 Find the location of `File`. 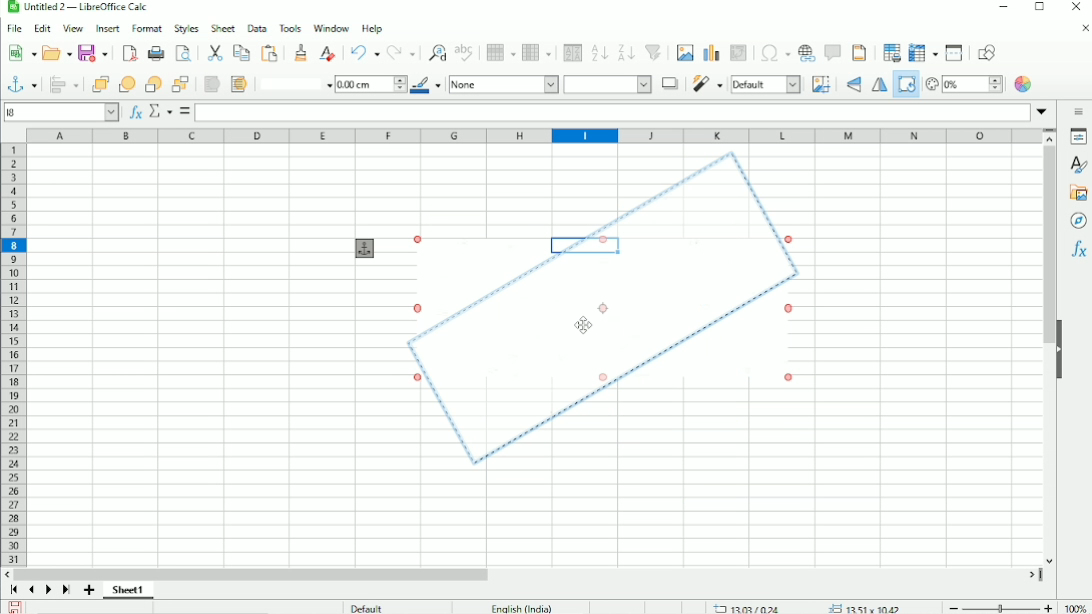

File is located at coordinates (16, 28).